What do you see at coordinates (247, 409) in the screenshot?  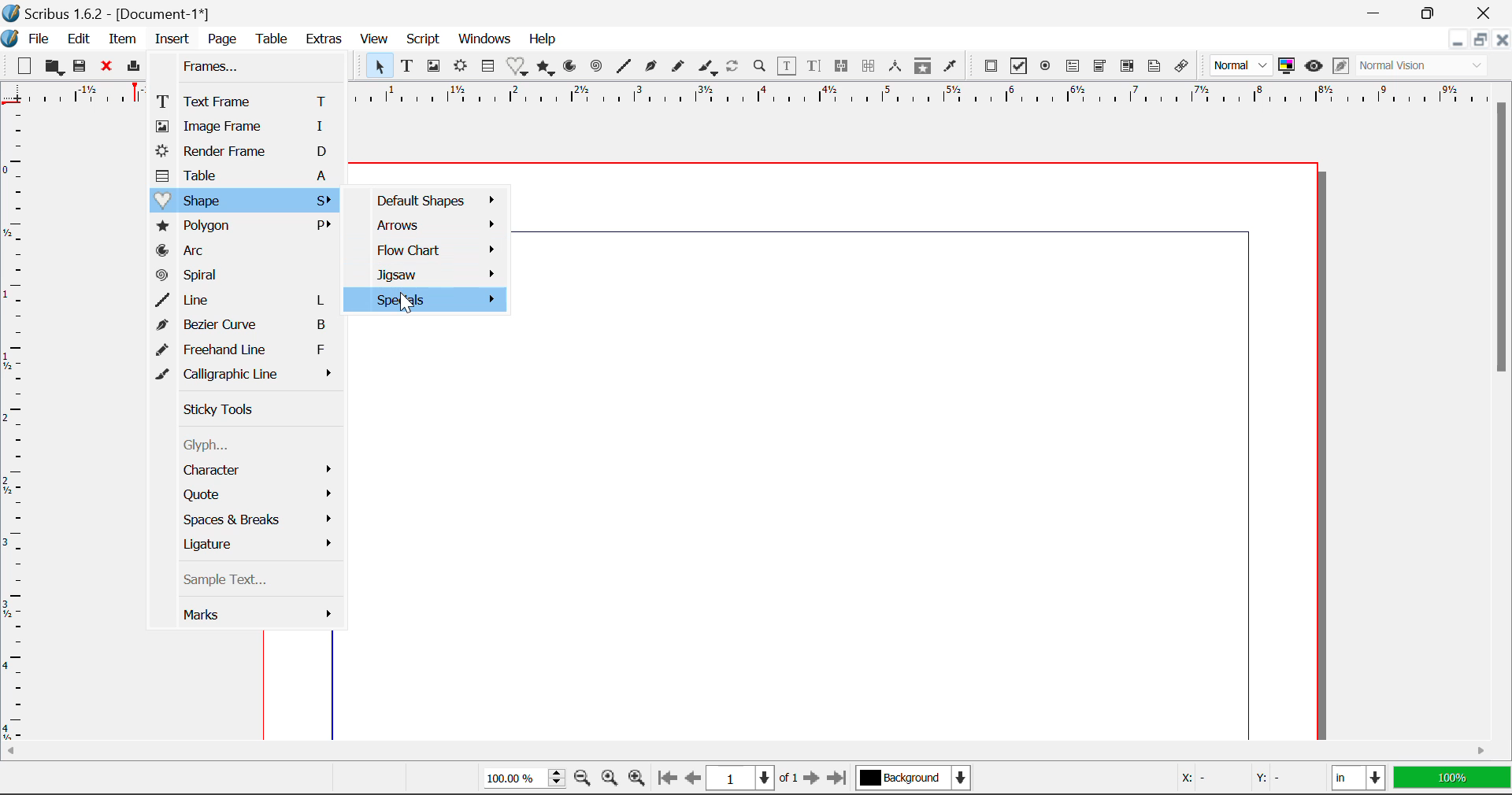 I see `Sticky Tools` at bounding box center [247, 409].